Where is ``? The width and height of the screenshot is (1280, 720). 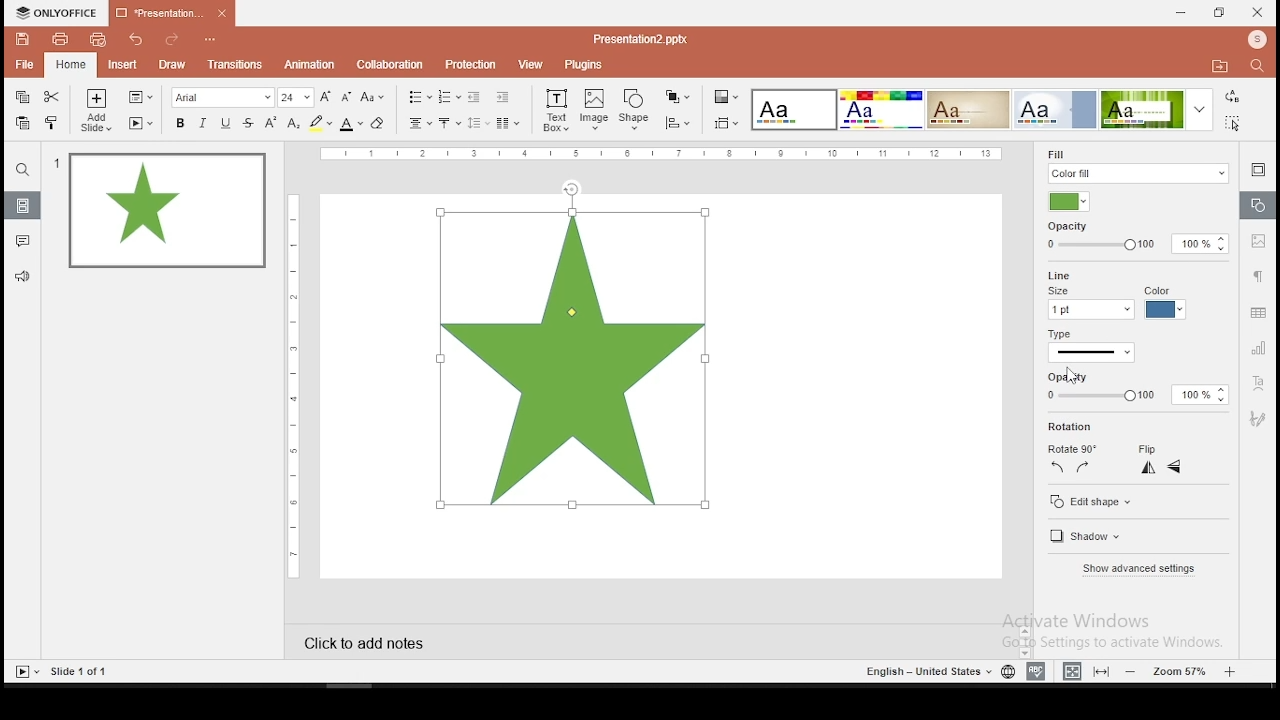  is located at coordinates (23, 169).